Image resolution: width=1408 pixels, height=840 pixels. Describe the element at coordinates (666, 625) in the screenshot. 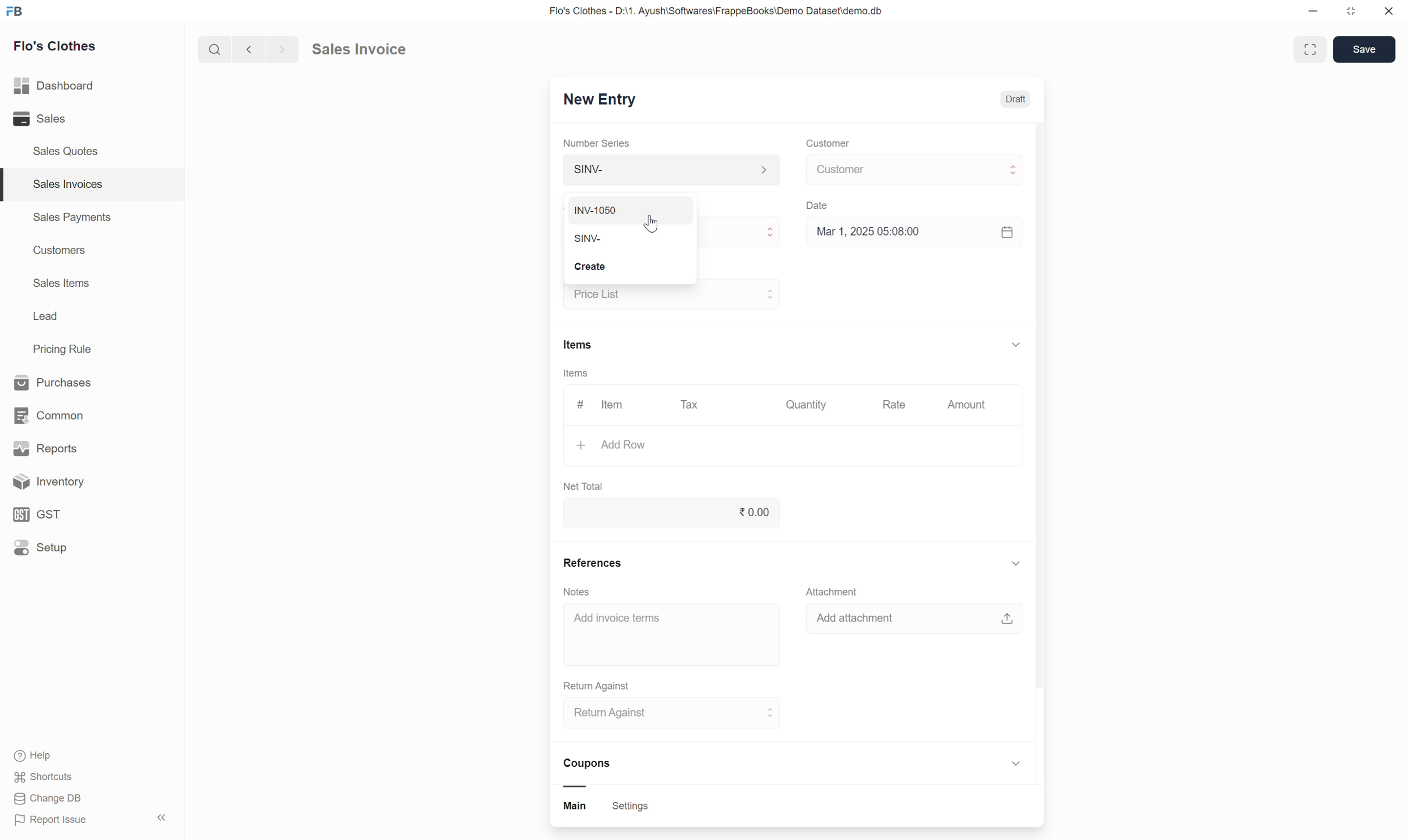

I see `Add invoice term input box` at that location.